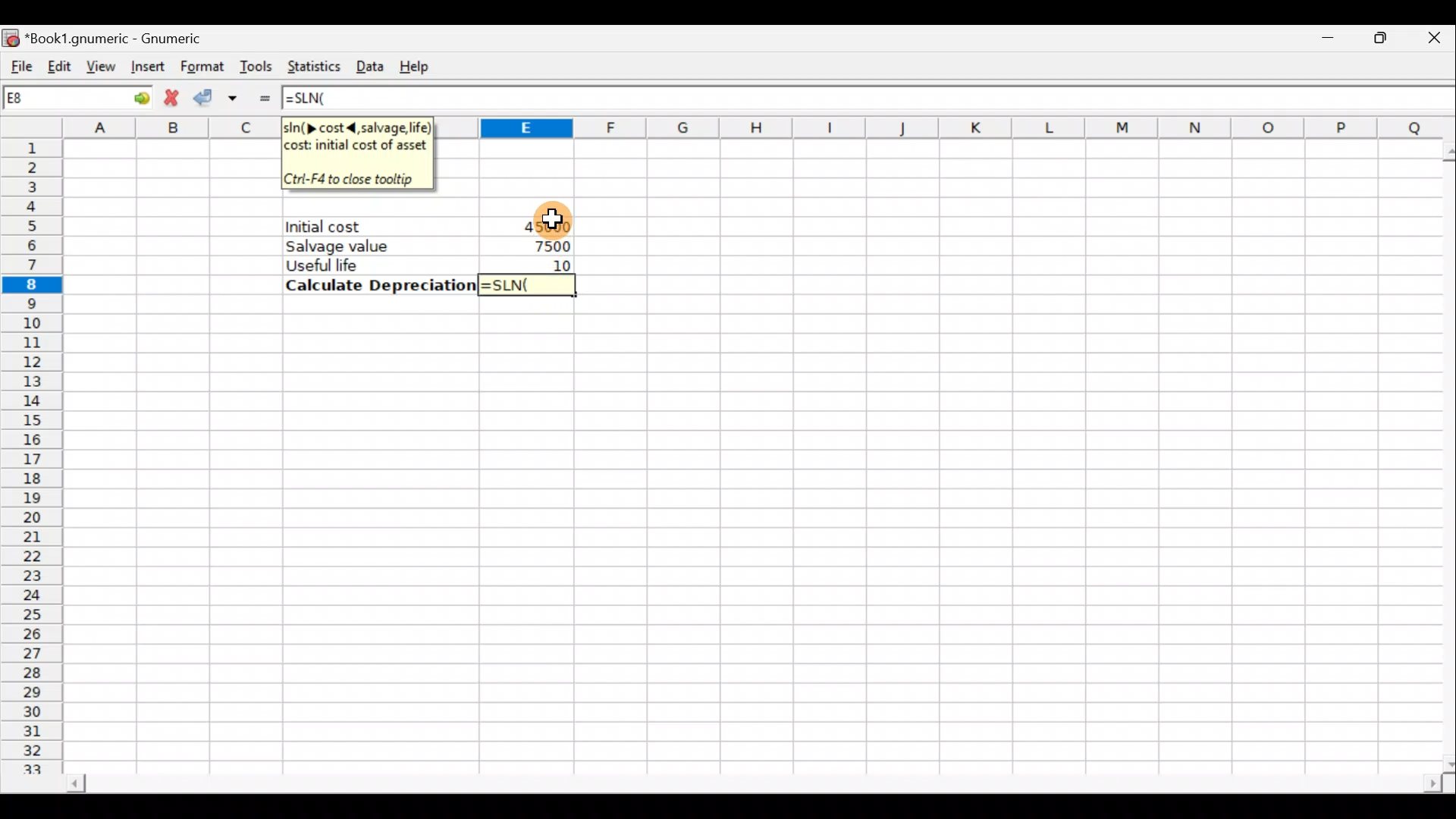 This screenshot has height=819, width=1456. Describe the element at coordinates (557, 264) in the screenshot. I see `10` at that location.